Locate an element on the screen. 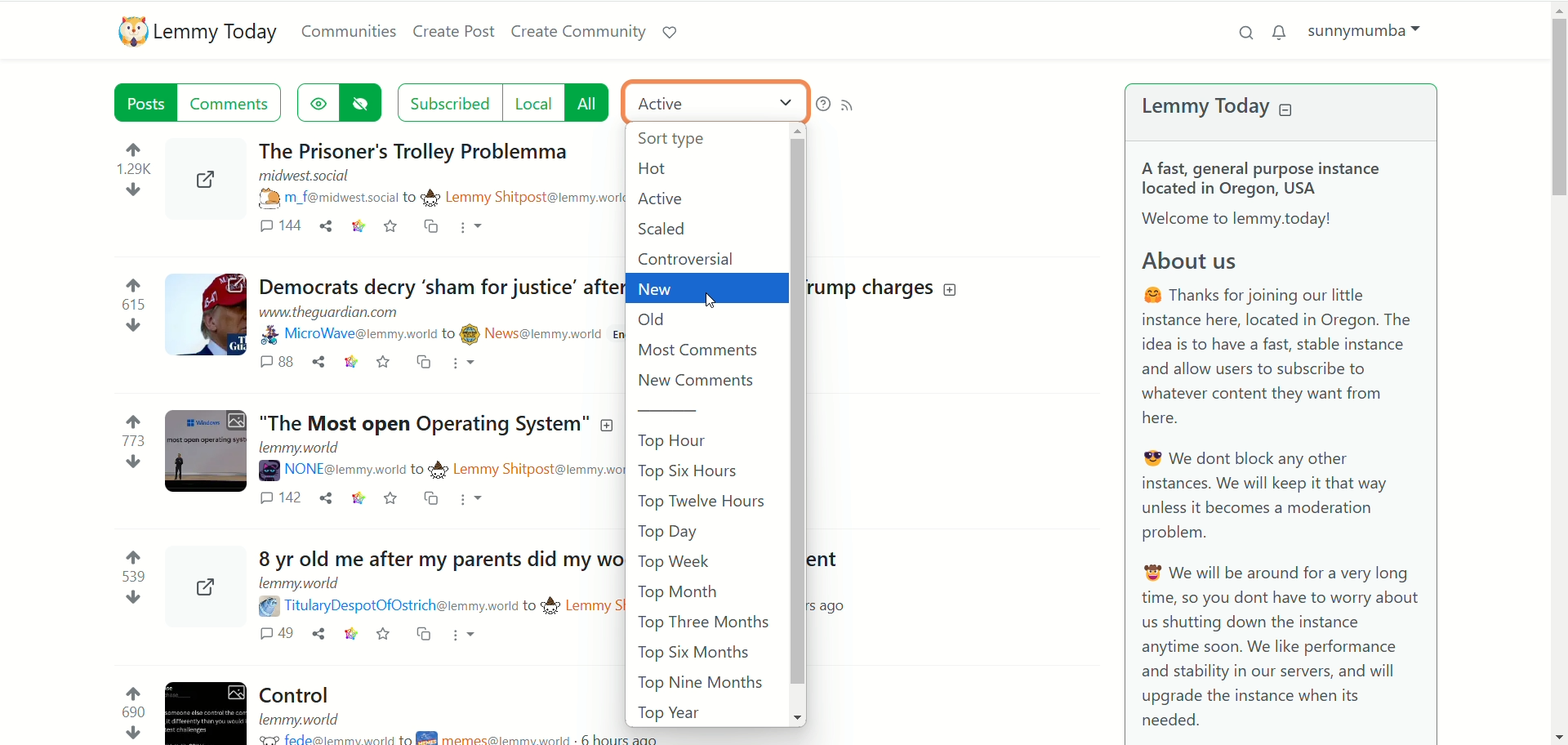 This screenshot has height=745, width=1568. old is located at coordinates (654, 319).